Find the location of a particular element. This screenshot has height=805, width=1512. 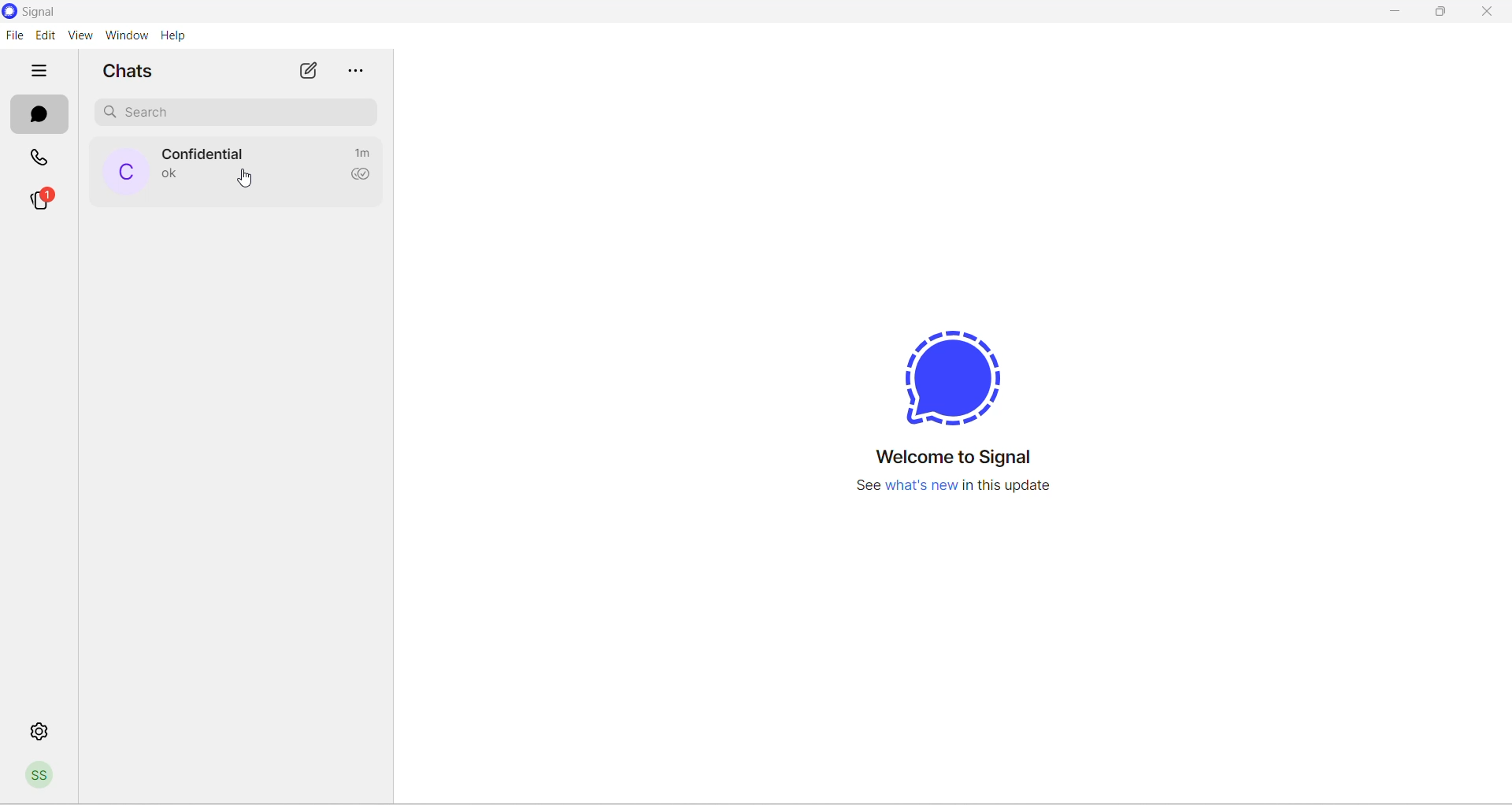

close is located at coordinates (1488, 12).